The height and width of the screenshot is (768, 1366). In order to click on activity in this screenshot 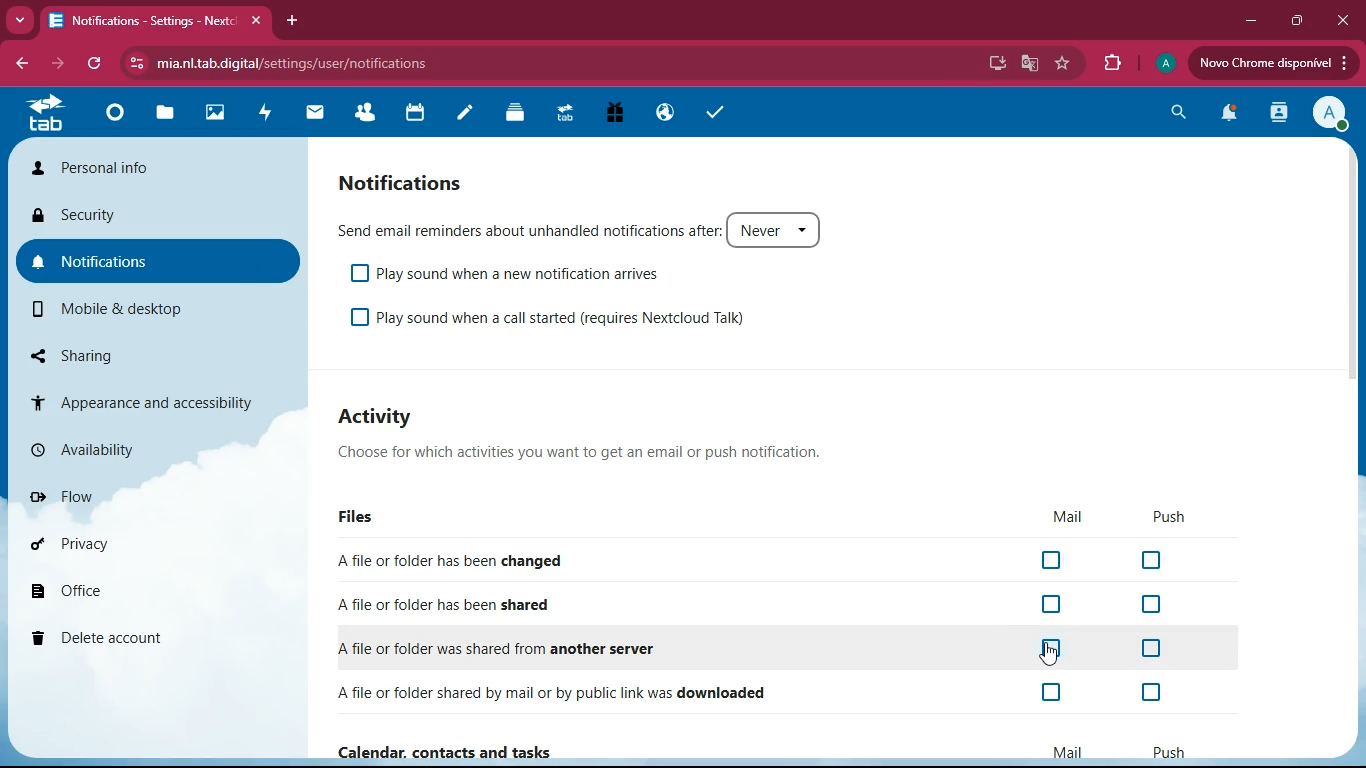, I will do `click(382, 417)`.